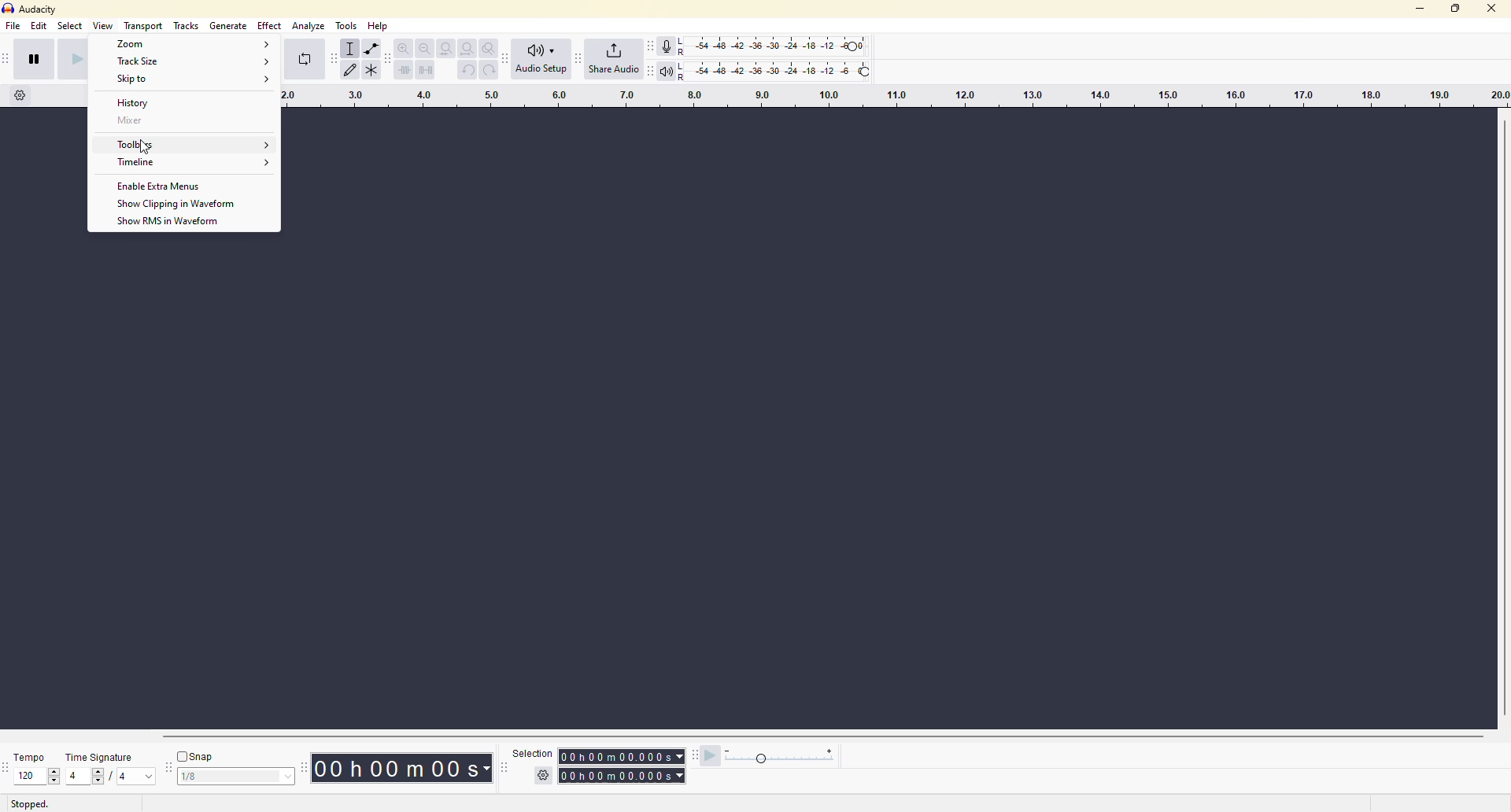  I want to click on fit selection to width, so click(446, 48).